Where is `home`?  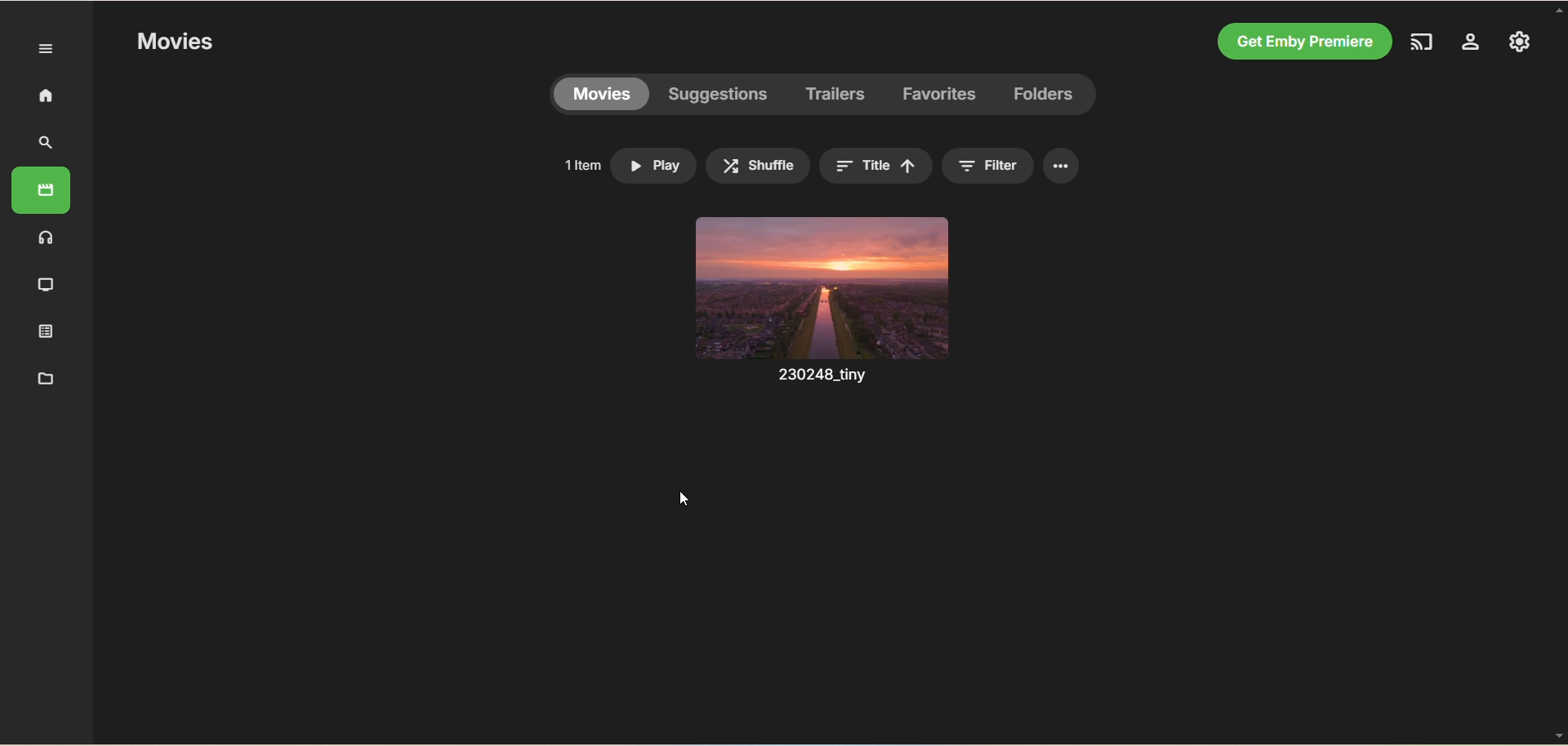
home is located at coordinates (42, 97).